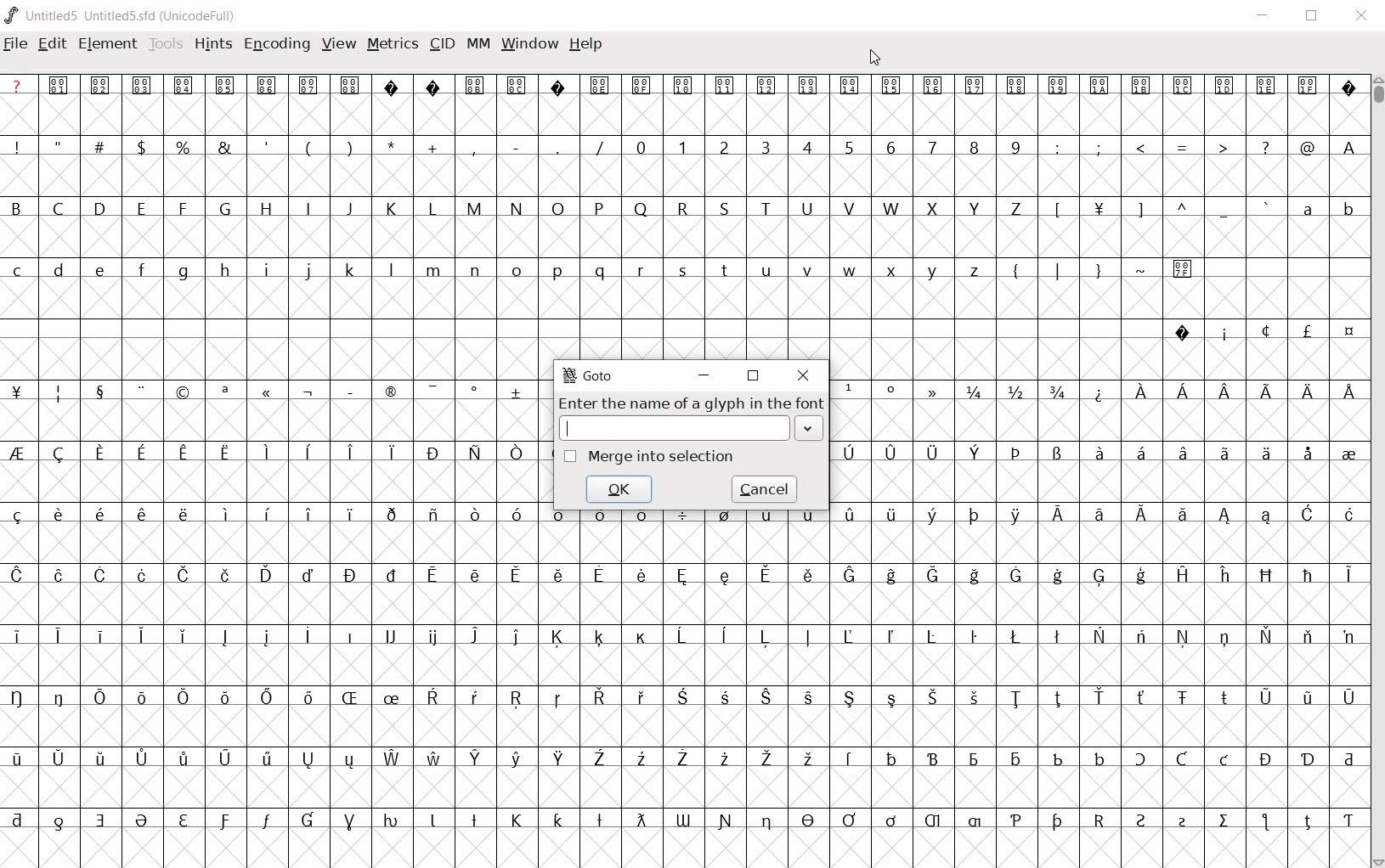  I want to click on Symbol, so click(184, 454).